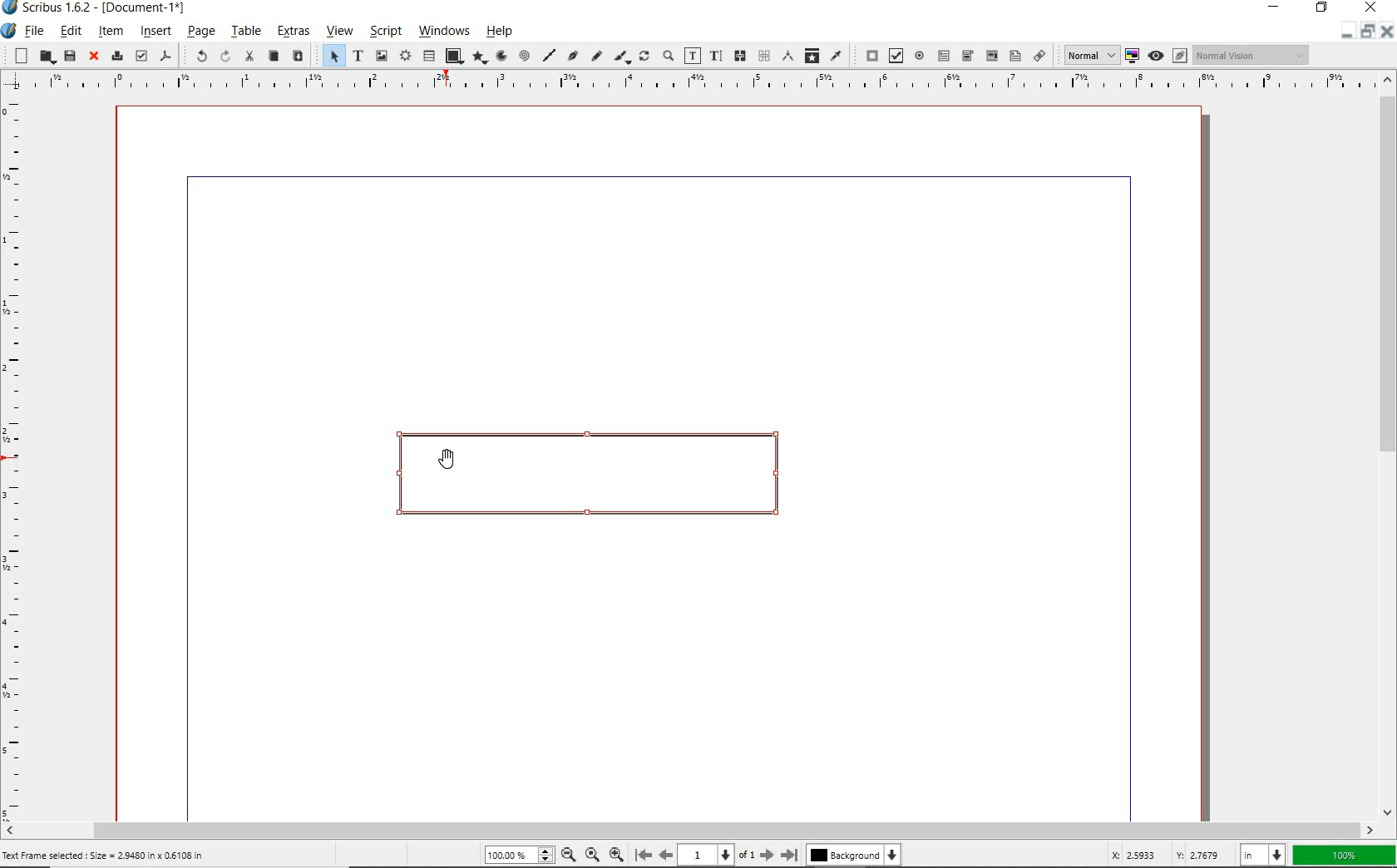  What do you see at coordinates (590, 854) in the screenshot?
I see `Zoom to 100%` at bounding box center [590, 854].